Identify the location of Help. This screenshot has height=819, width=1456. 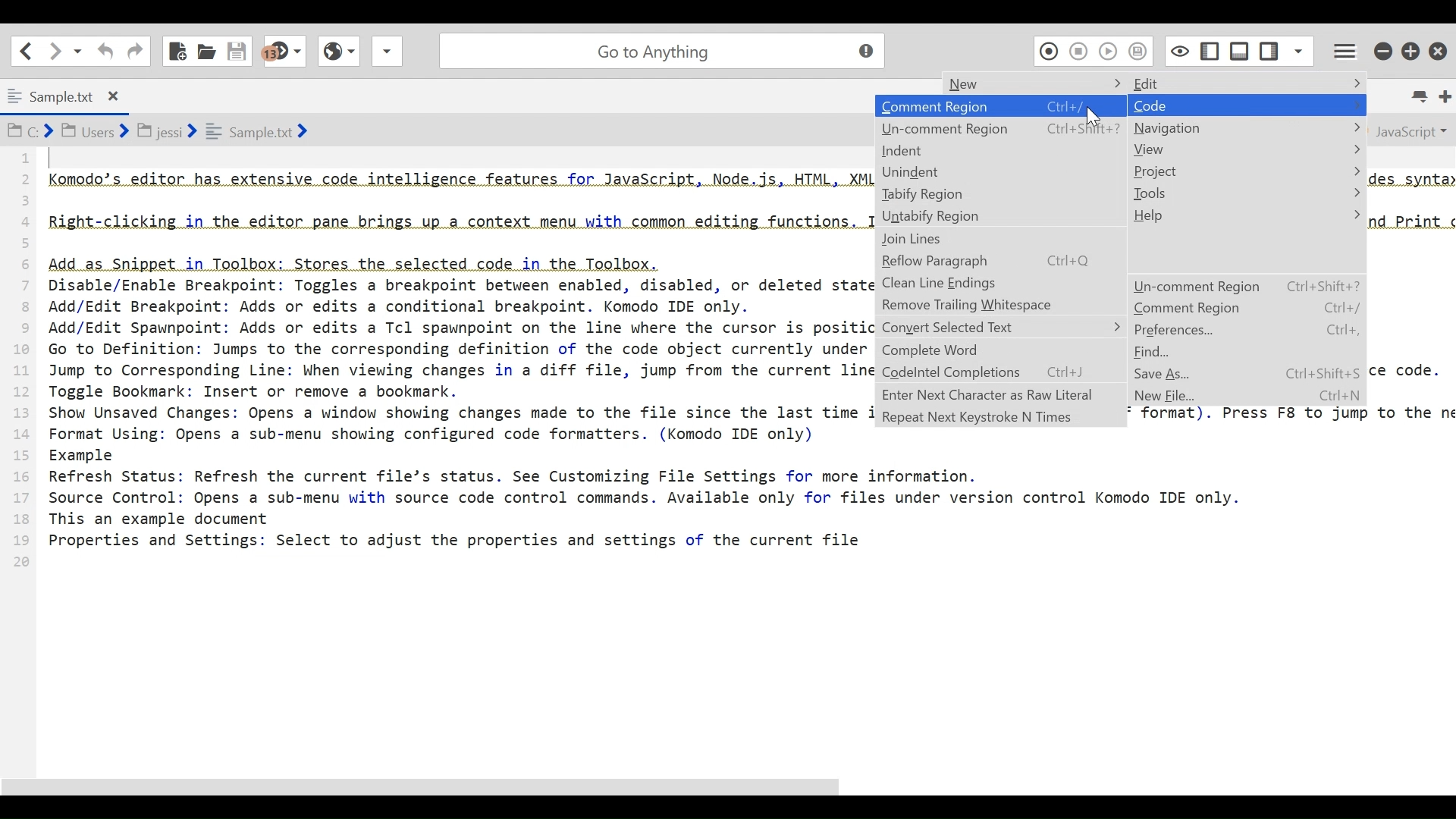
(1245, 215).